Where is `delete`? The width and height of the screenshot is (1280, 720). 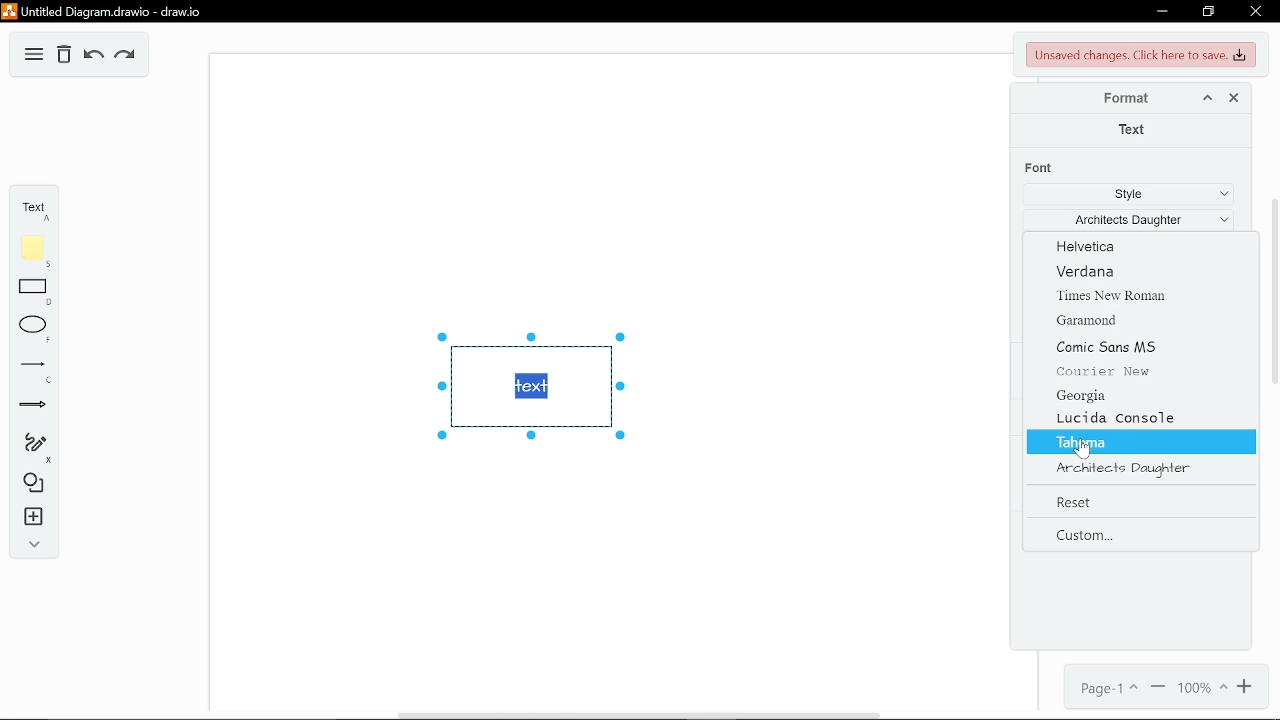 delete is located at coordinates (64, 55).